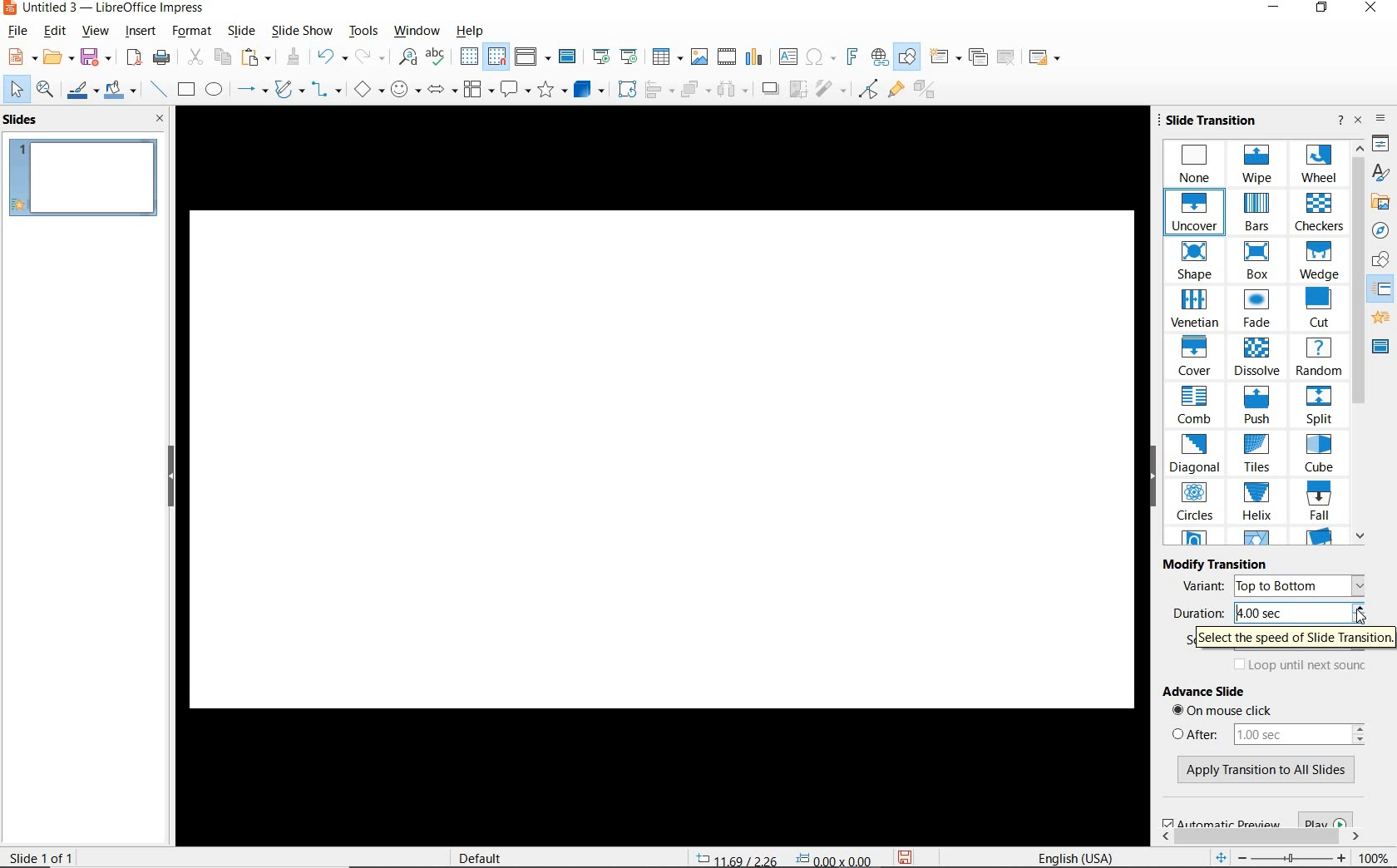 This screenshot has height=868, width=1397. I want to click on 4.00 SEC, so click(1303, 614).